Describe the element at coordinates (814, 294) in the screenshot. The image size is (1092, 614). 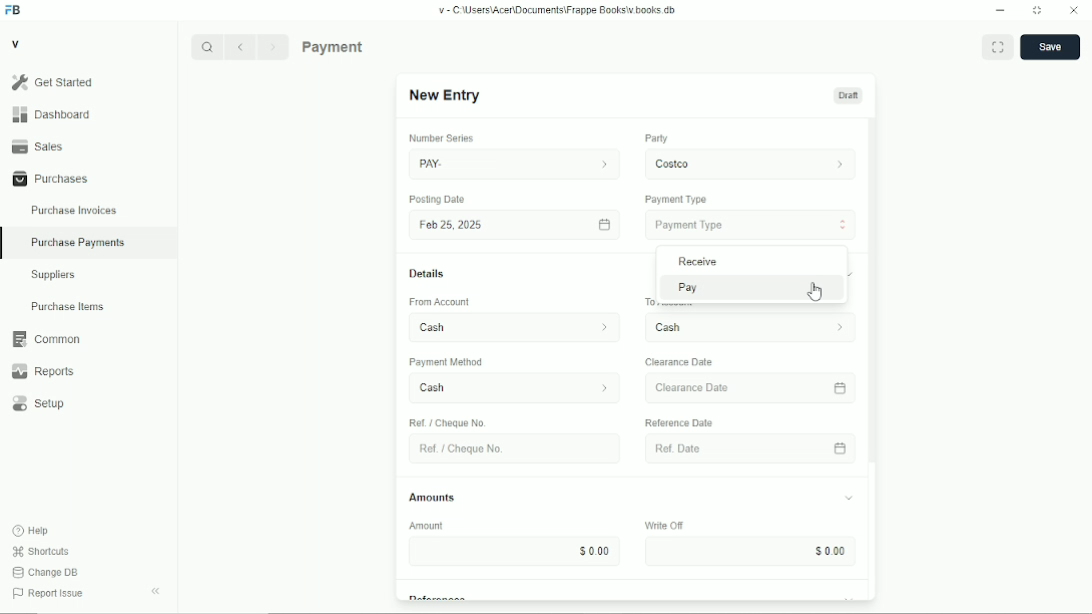
I see `cursor` at that location.